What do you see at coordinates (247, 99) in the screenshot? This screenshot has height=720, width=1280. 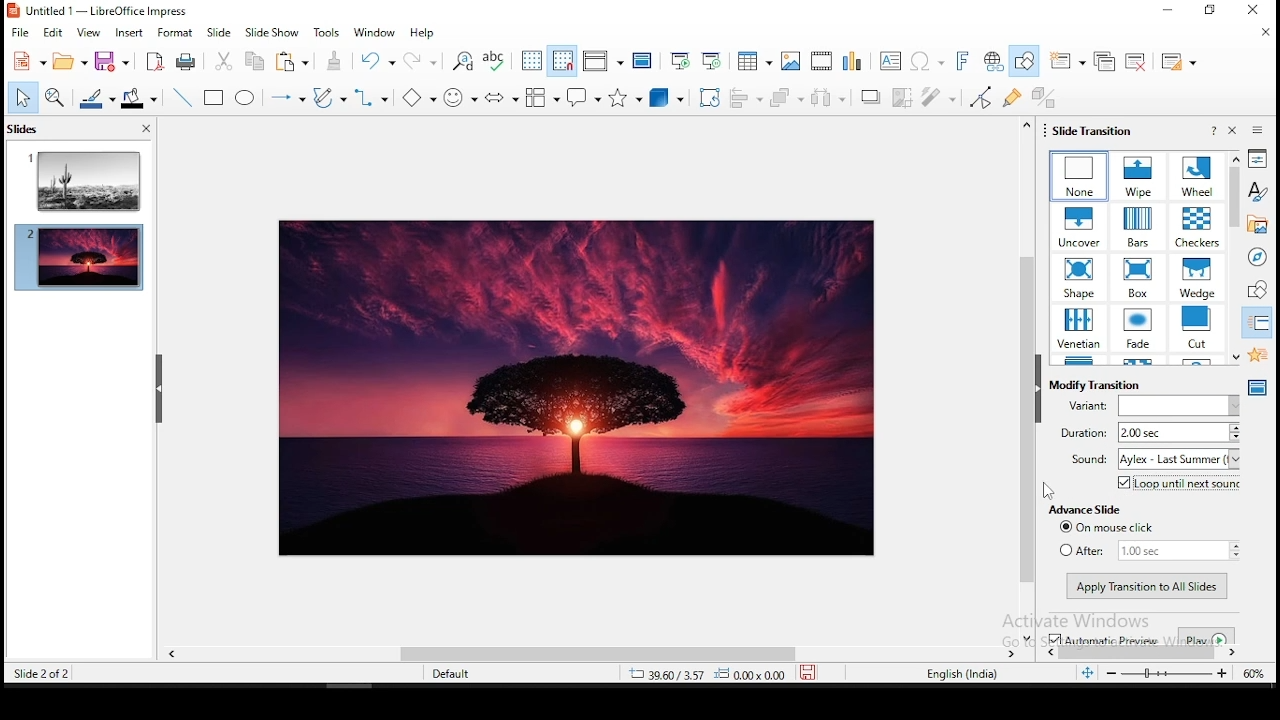 I see `ellipse` at bounding box center [247, 99].